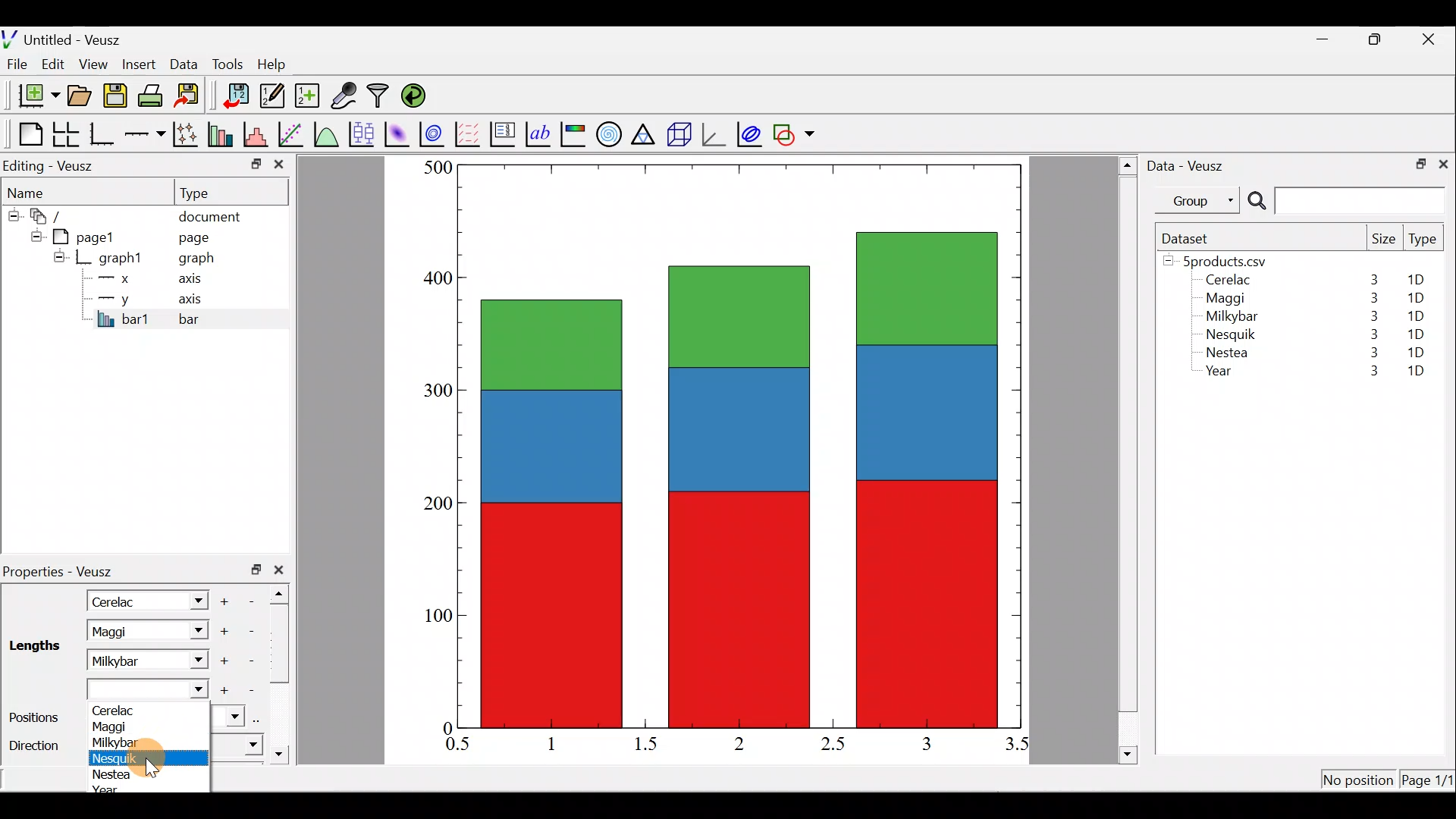  Describe the element at coordinates (649, 745) in the screenshot. I see `1.5` at that location.